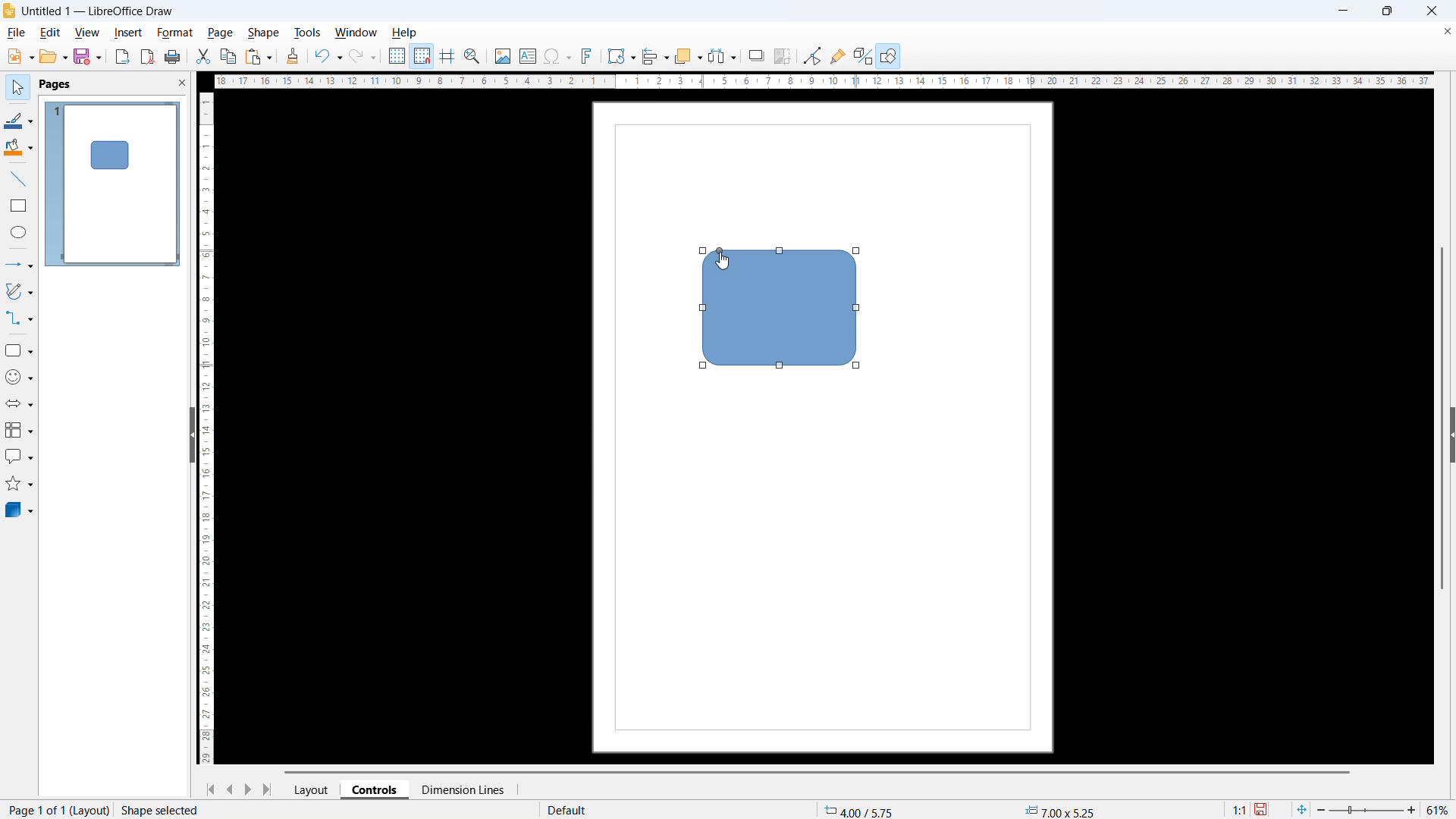 This screenshot has width=1456, height=819. I want to click on Redo , so click(363, 57).